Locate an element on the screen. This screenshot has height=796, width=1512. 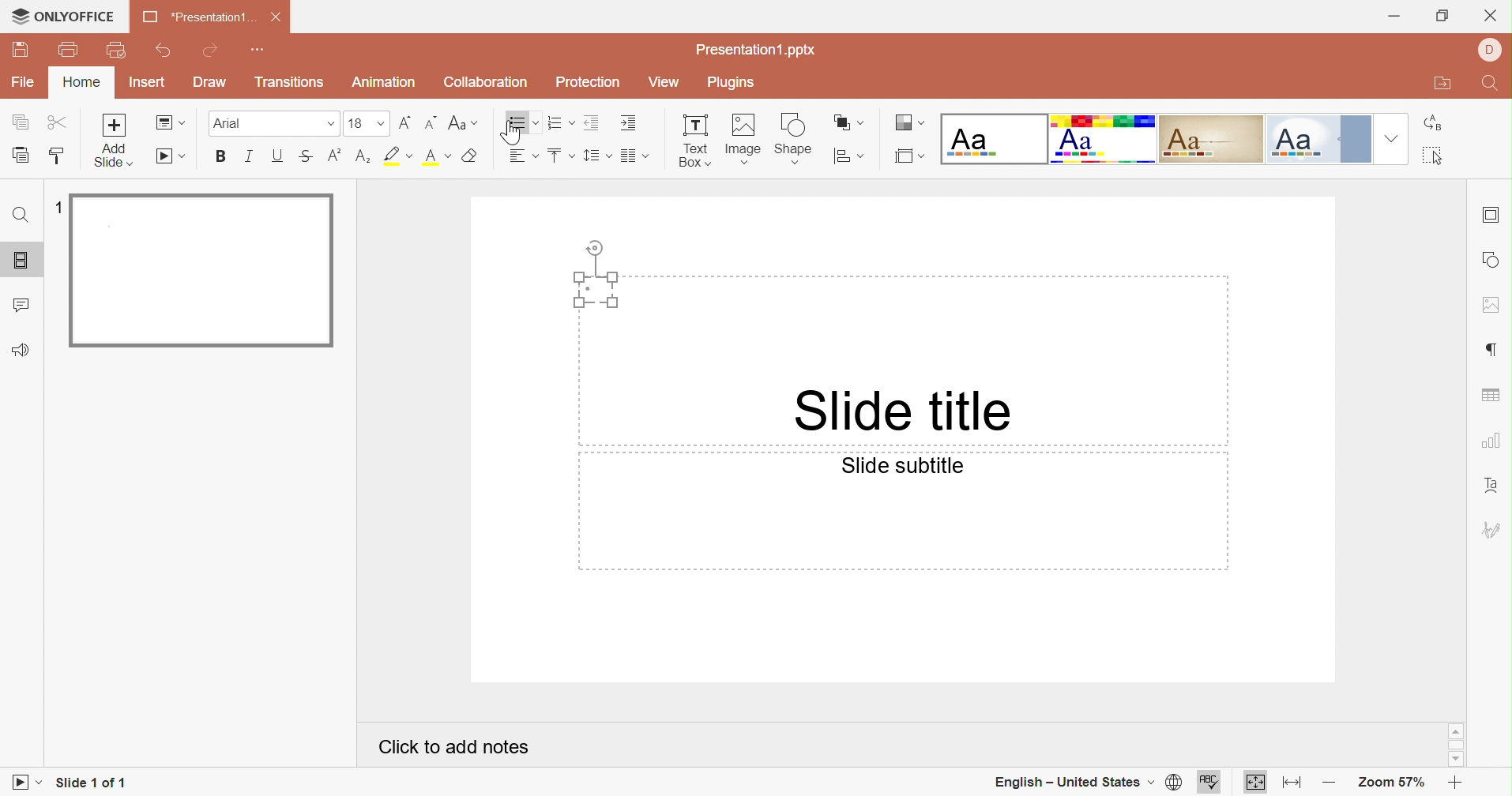
Draw is located at coordinates (213, 83).